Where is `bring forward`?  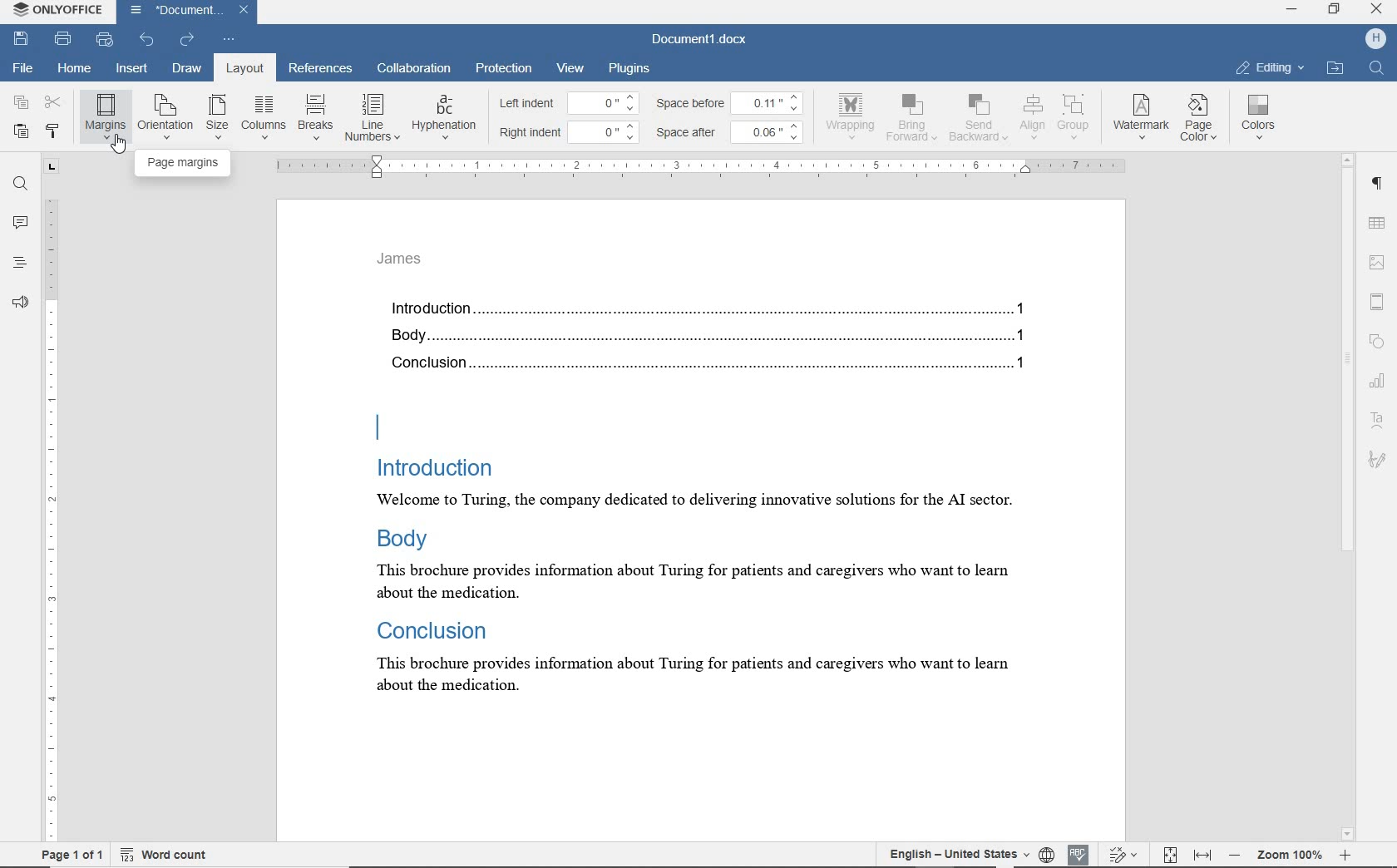
bring forward is located at coordinates (914, 121).